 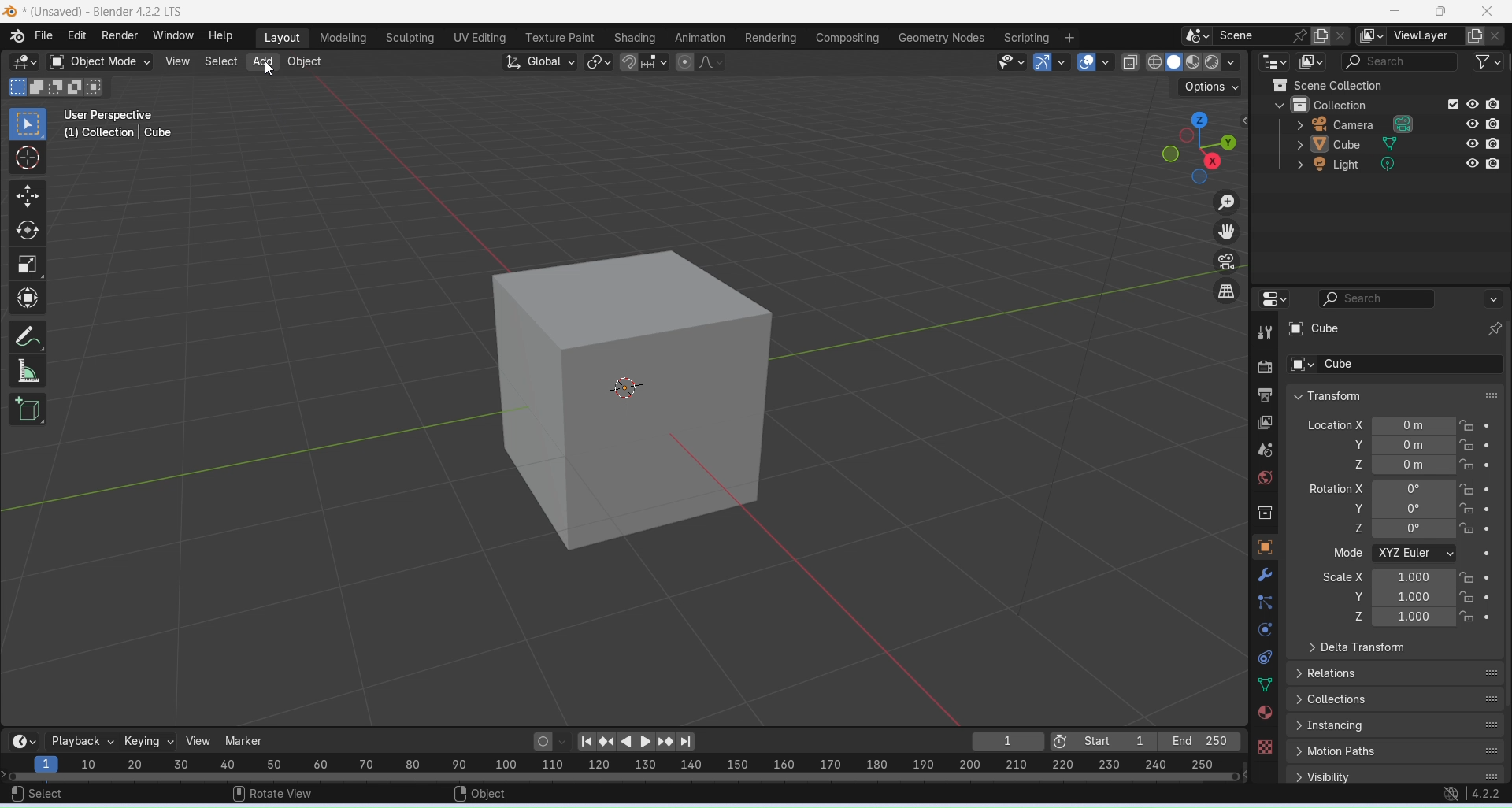 I want to click on UV Editing, so click(x=478, y=38).